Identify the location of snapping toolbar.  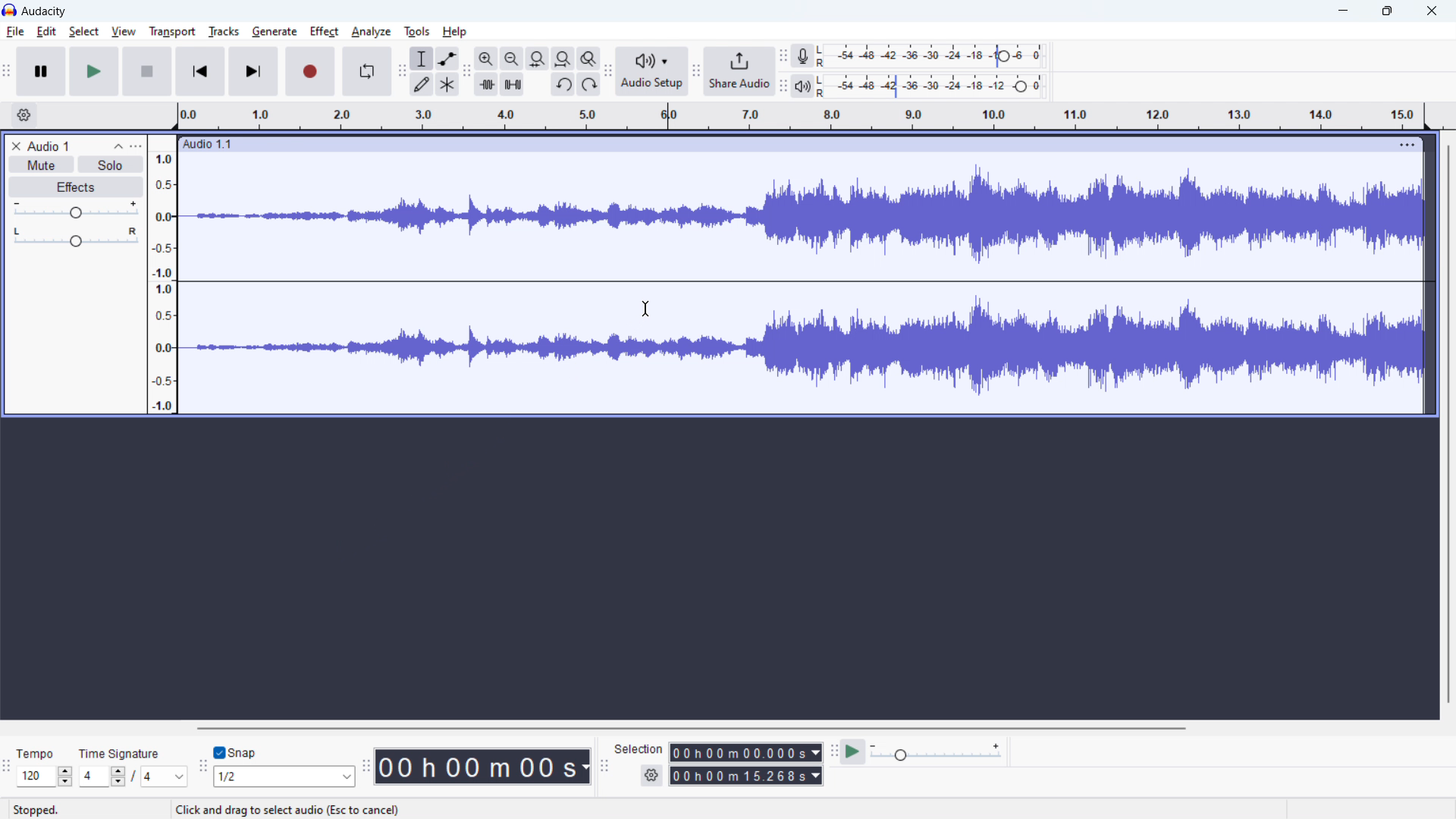
(203, 766).